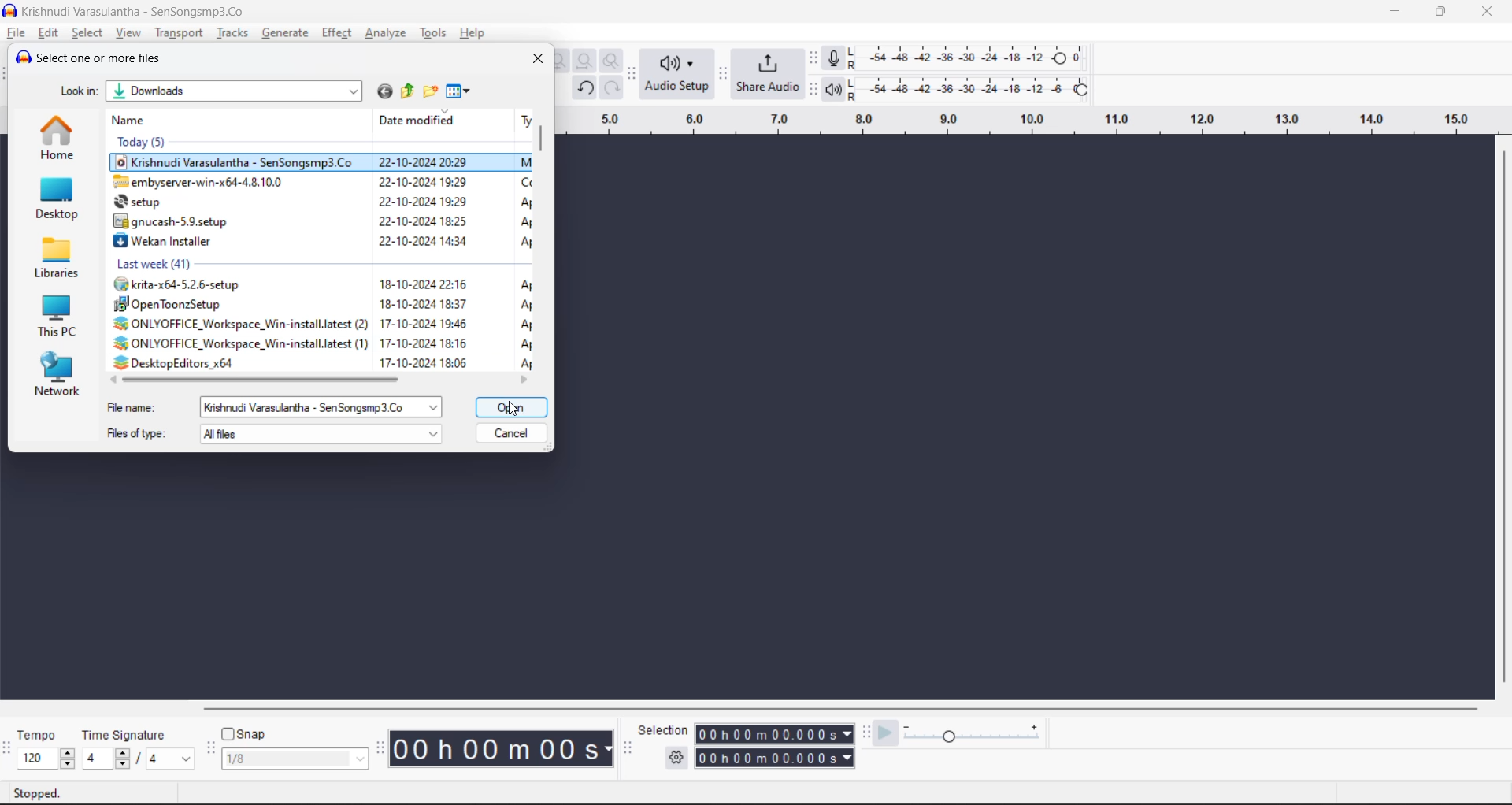 The height and width of the screenshot is (805, 1512). I want to click on snap, so click(244, 734).